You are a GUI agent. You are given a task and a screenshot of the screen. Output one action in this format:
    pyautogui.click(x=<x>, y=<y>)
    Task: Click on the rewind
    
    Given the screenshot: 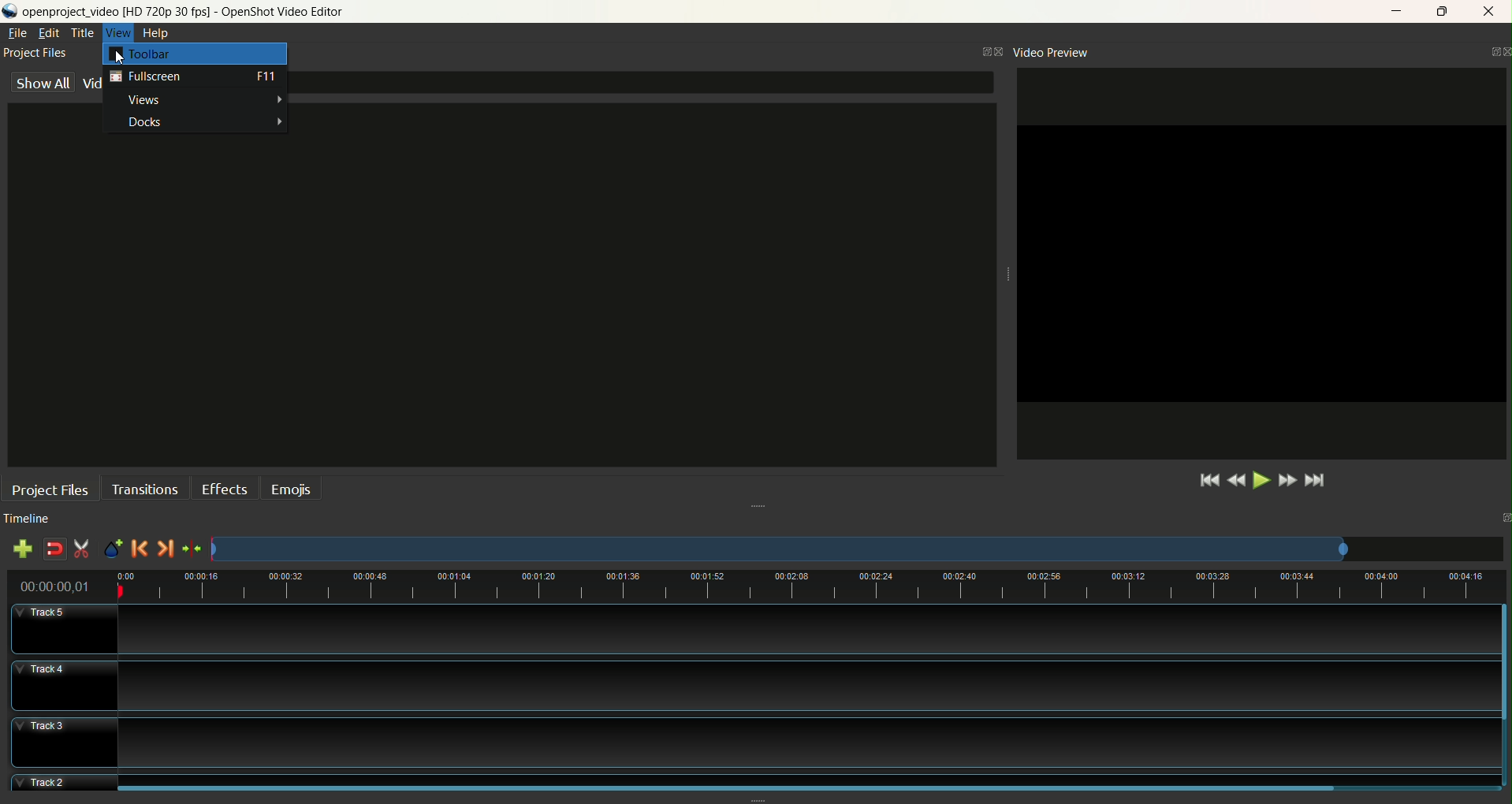 What is the action you would take?
    pyautogui.click(x=1236, y=480)
    